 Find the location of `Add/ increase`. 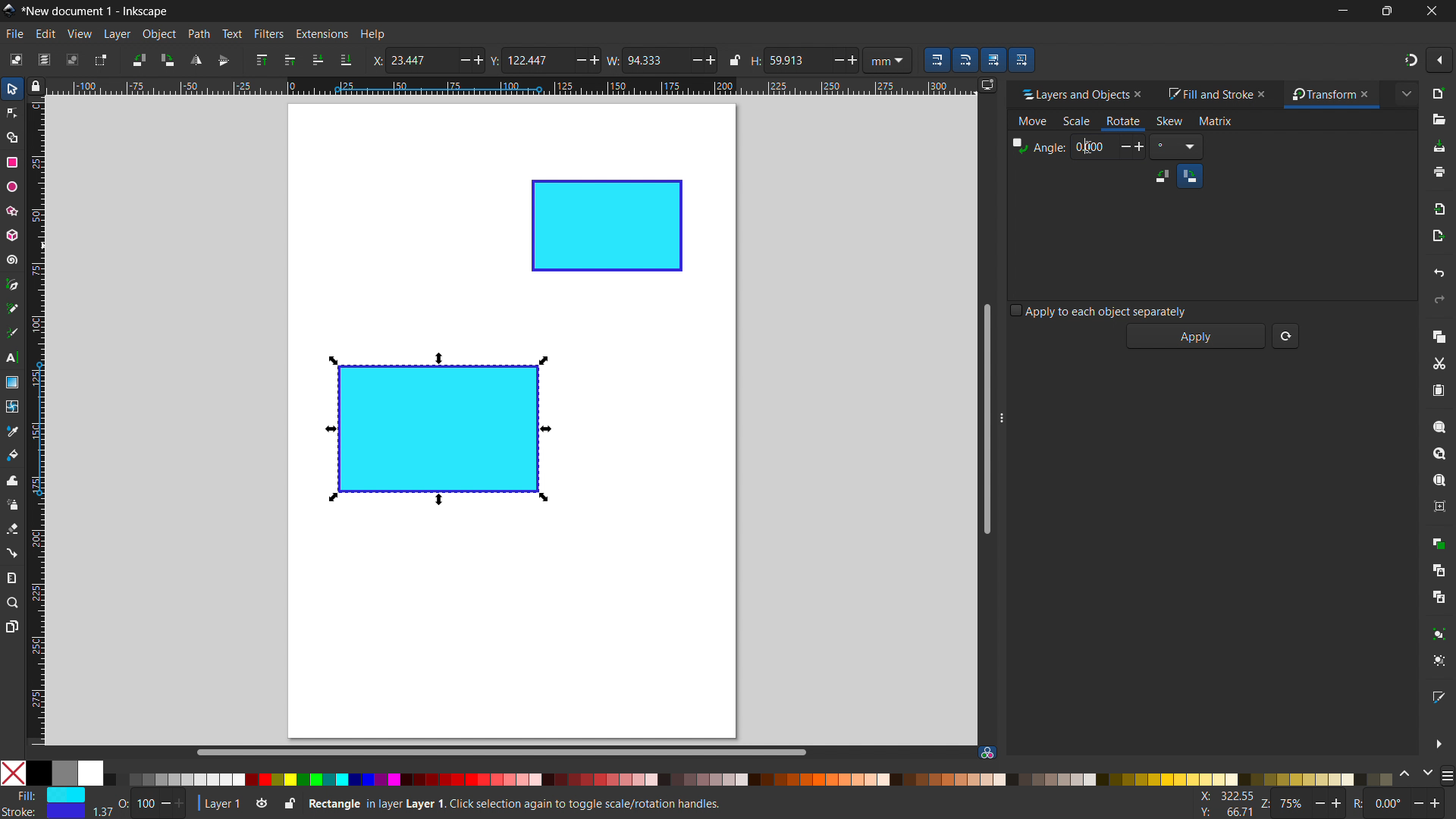

Add/ increase is located at coordinates (597, 60).